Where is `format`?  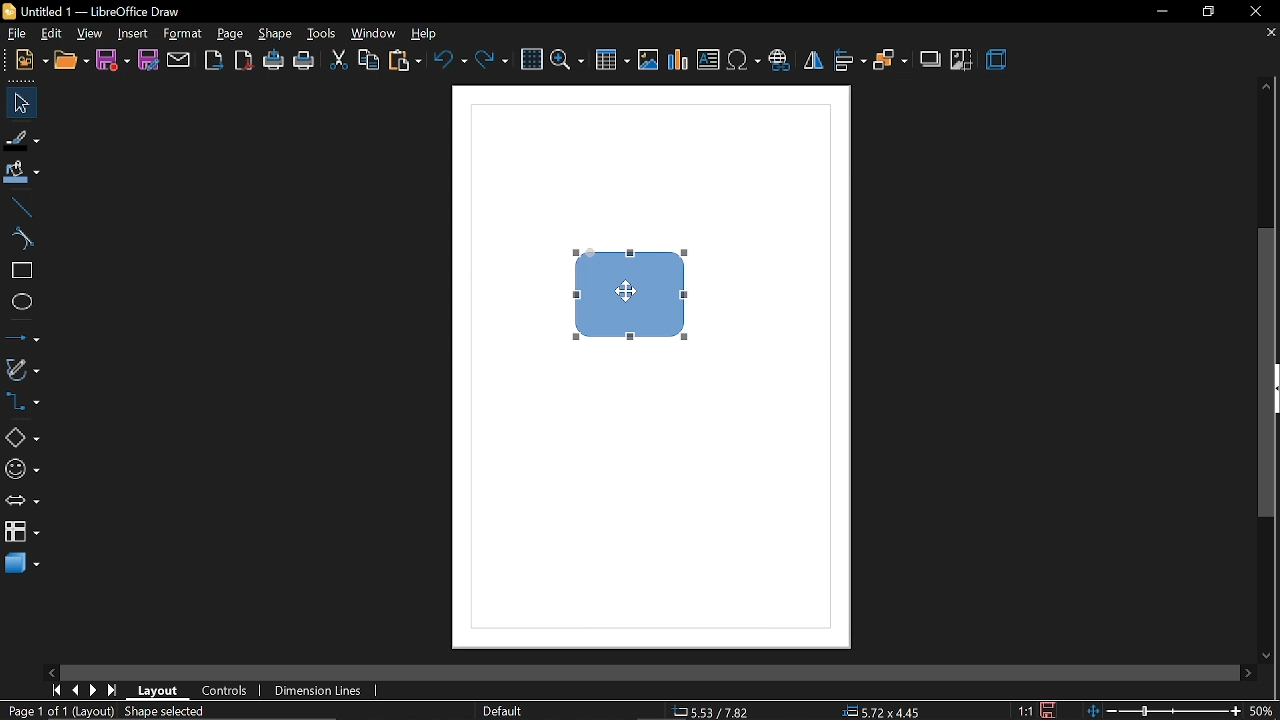 format is located at coordinates (184, 35).